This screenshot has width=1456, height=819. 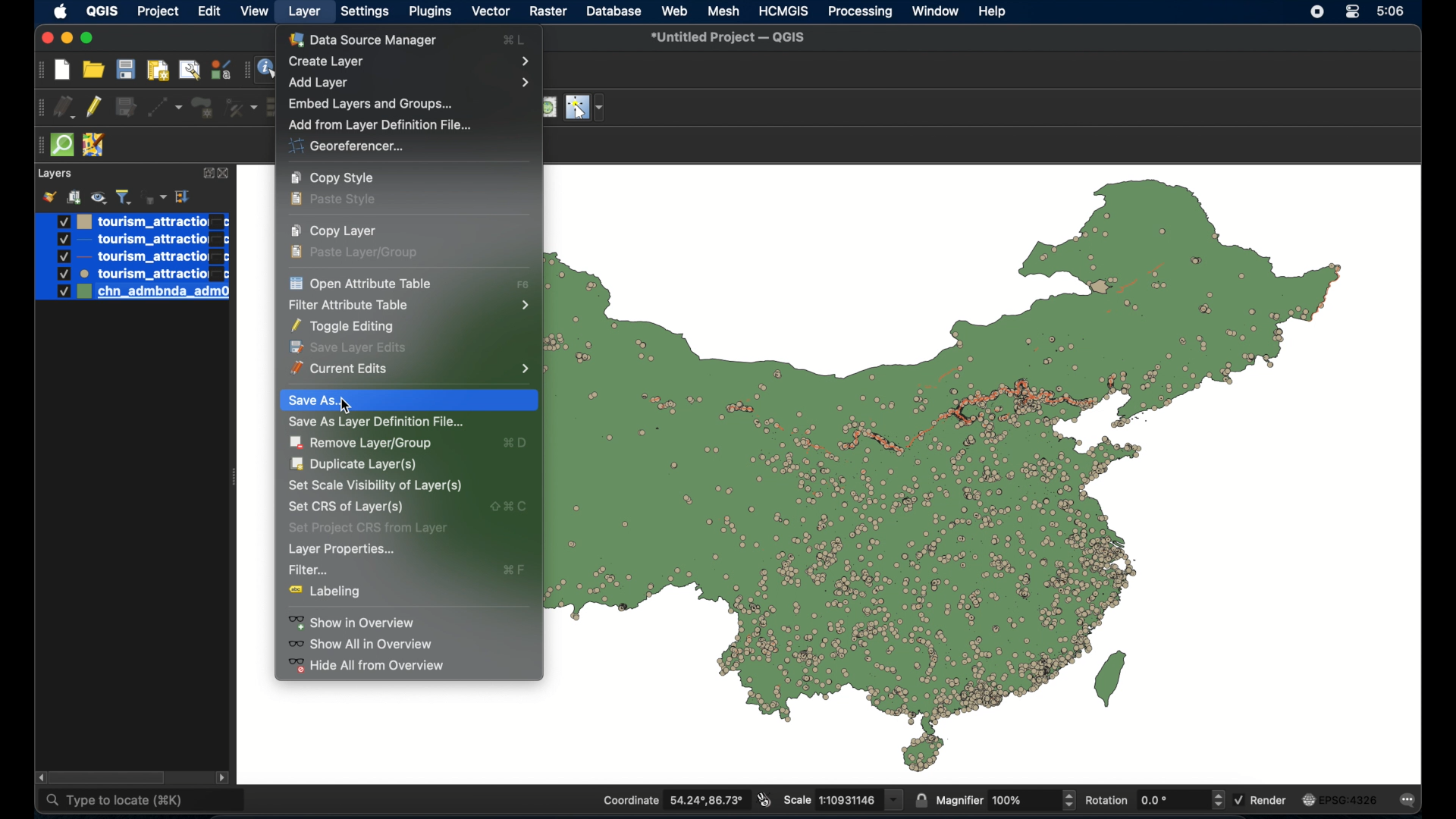 I want to click on maximize, so click(x=90, y=37).